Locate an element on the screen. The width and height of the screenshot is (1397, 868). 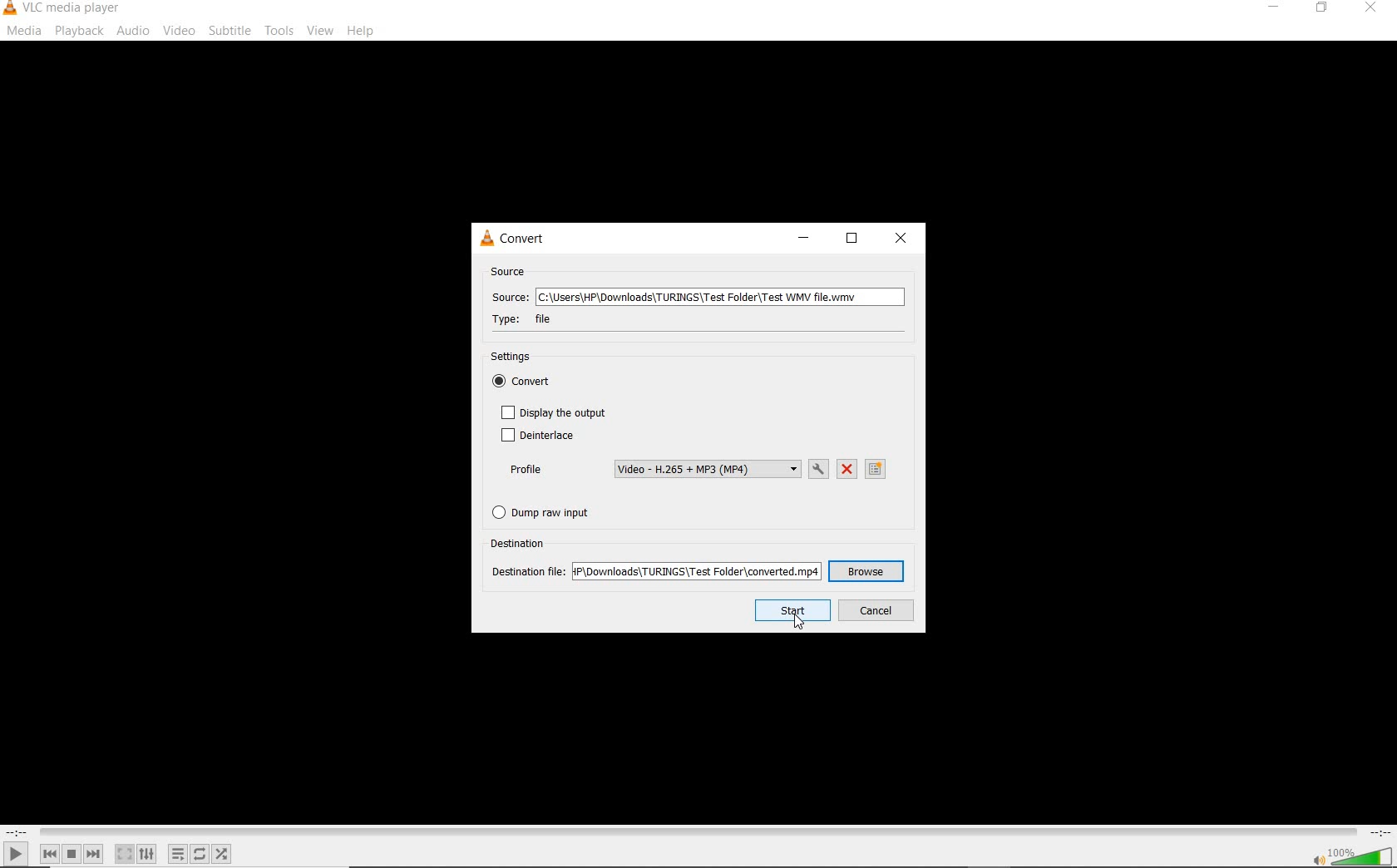
show extended settings is located at coordinates (146, 854).